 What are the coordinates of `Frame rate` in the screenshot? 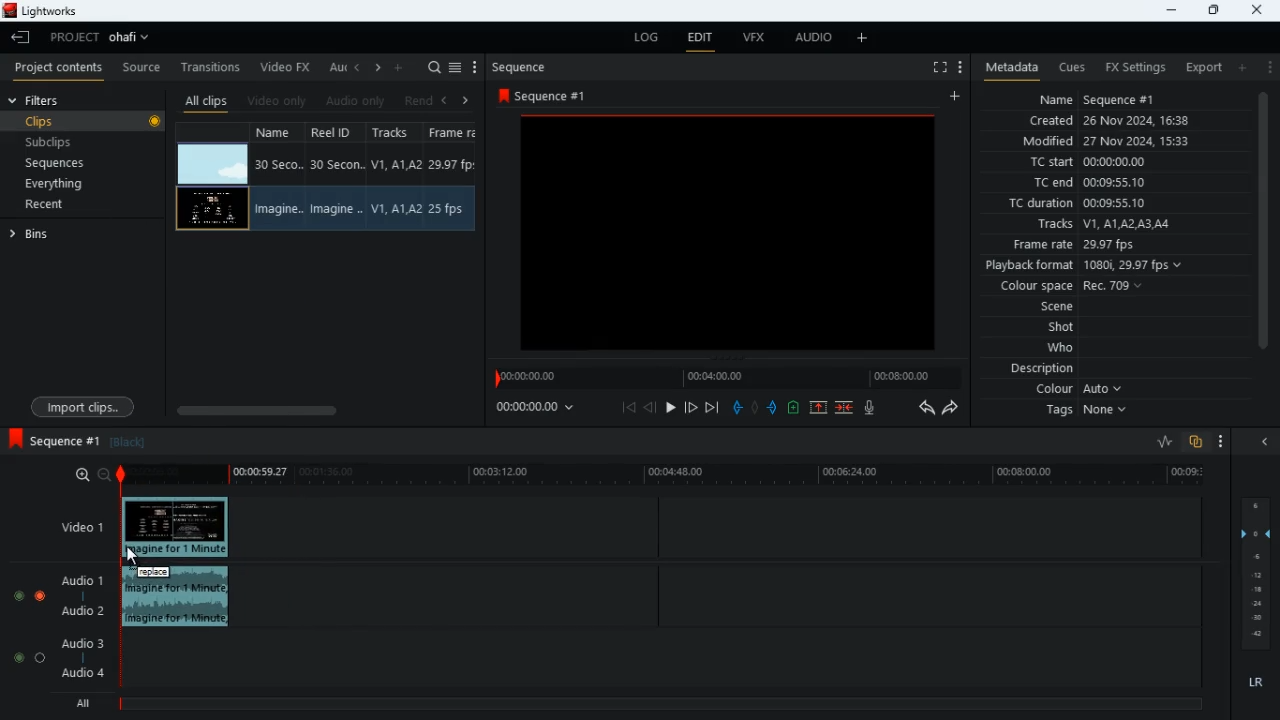 It's located at (453, 165).